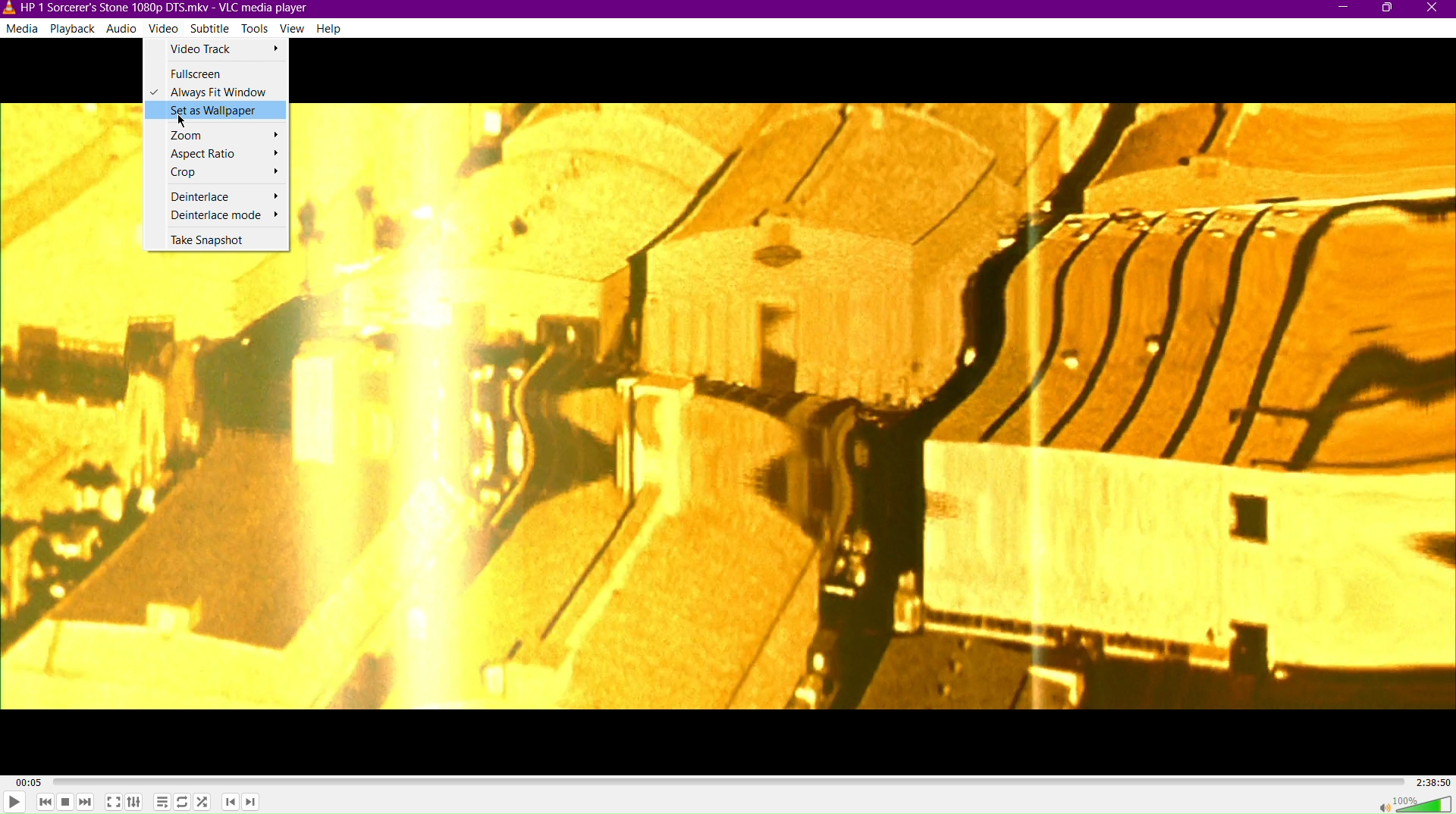 This screenshot has height=814, width=1456. I want to click on Volume, so click(1415, 803).